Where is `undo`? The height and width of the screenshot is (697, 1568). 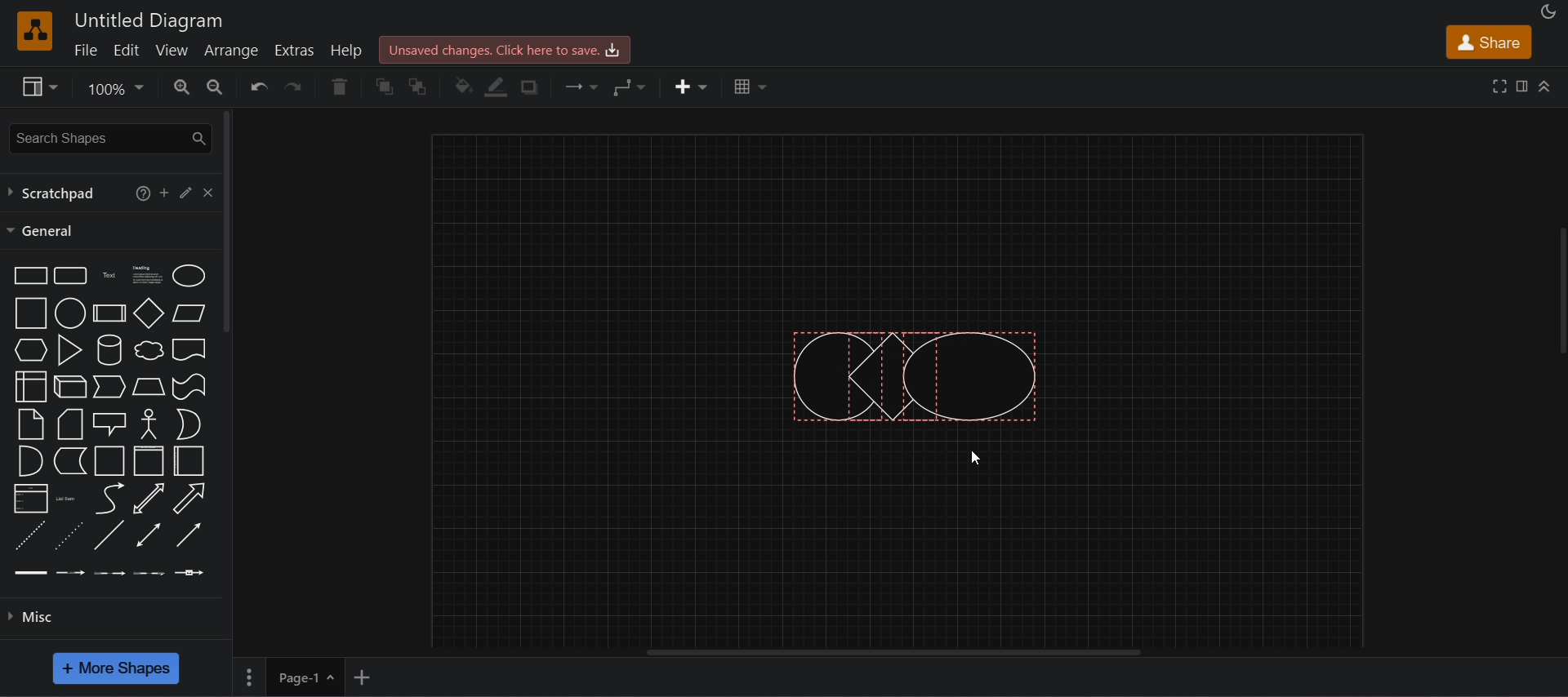
undo is located at coordinates (258, 87).